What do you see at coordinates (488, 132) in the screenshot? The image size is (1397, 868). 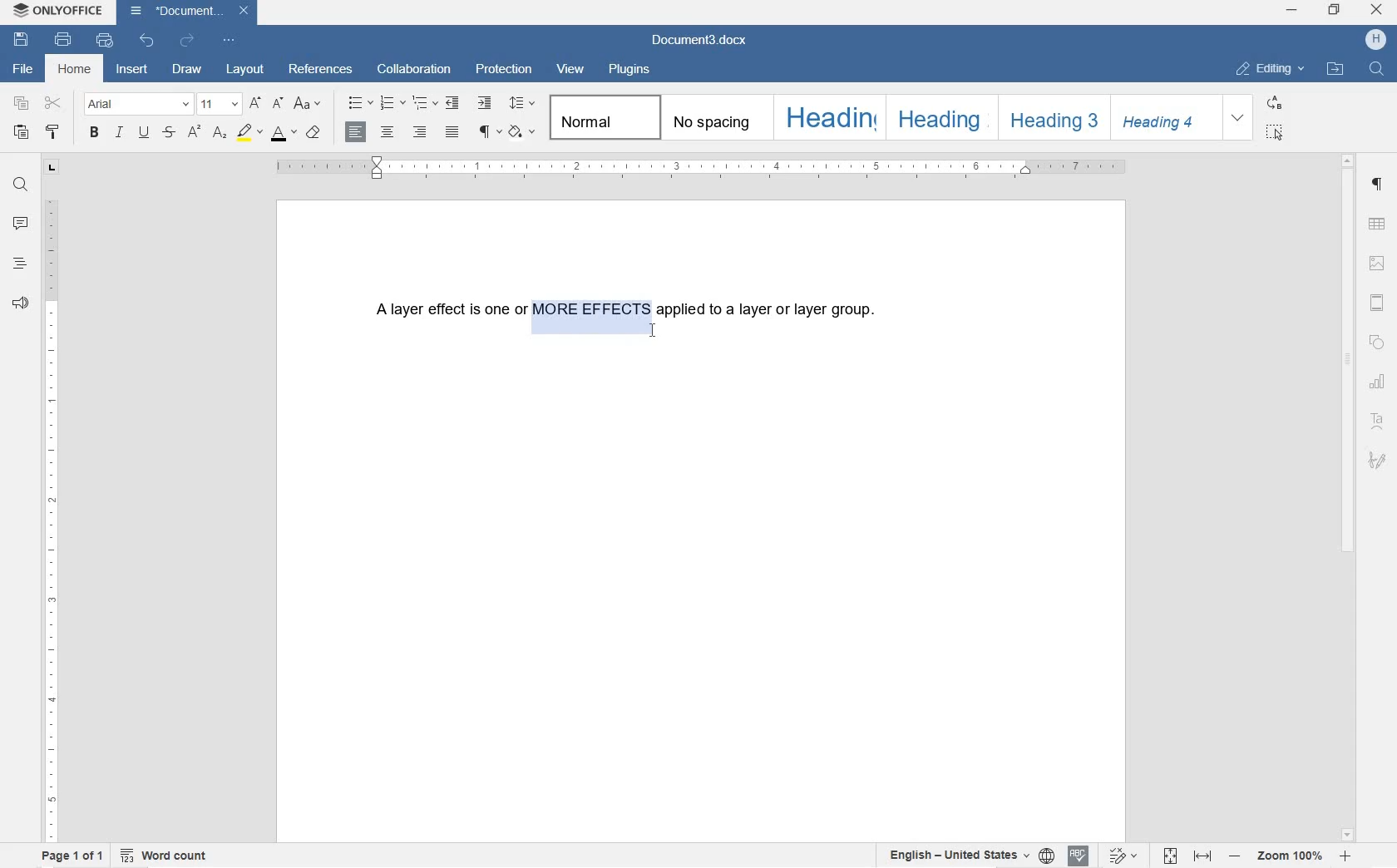 I see `NONPRINTING CHARACTERS` at bounding box center [488, 132].